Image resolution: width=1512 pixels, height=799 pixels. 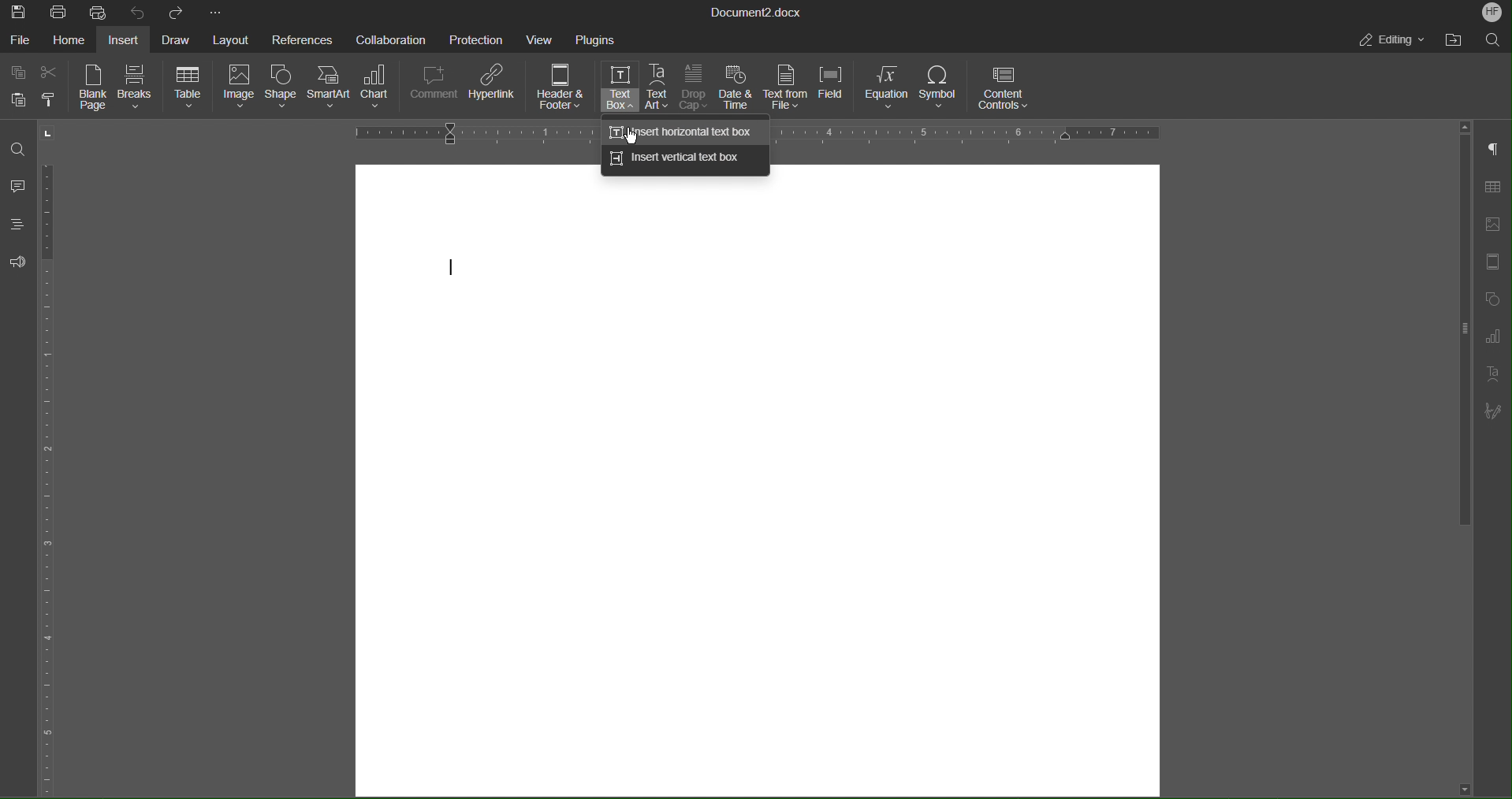 What do you see at coordinates (477, 38) in the screenshot?
I see `Protection` at bounding box center [477, 38].